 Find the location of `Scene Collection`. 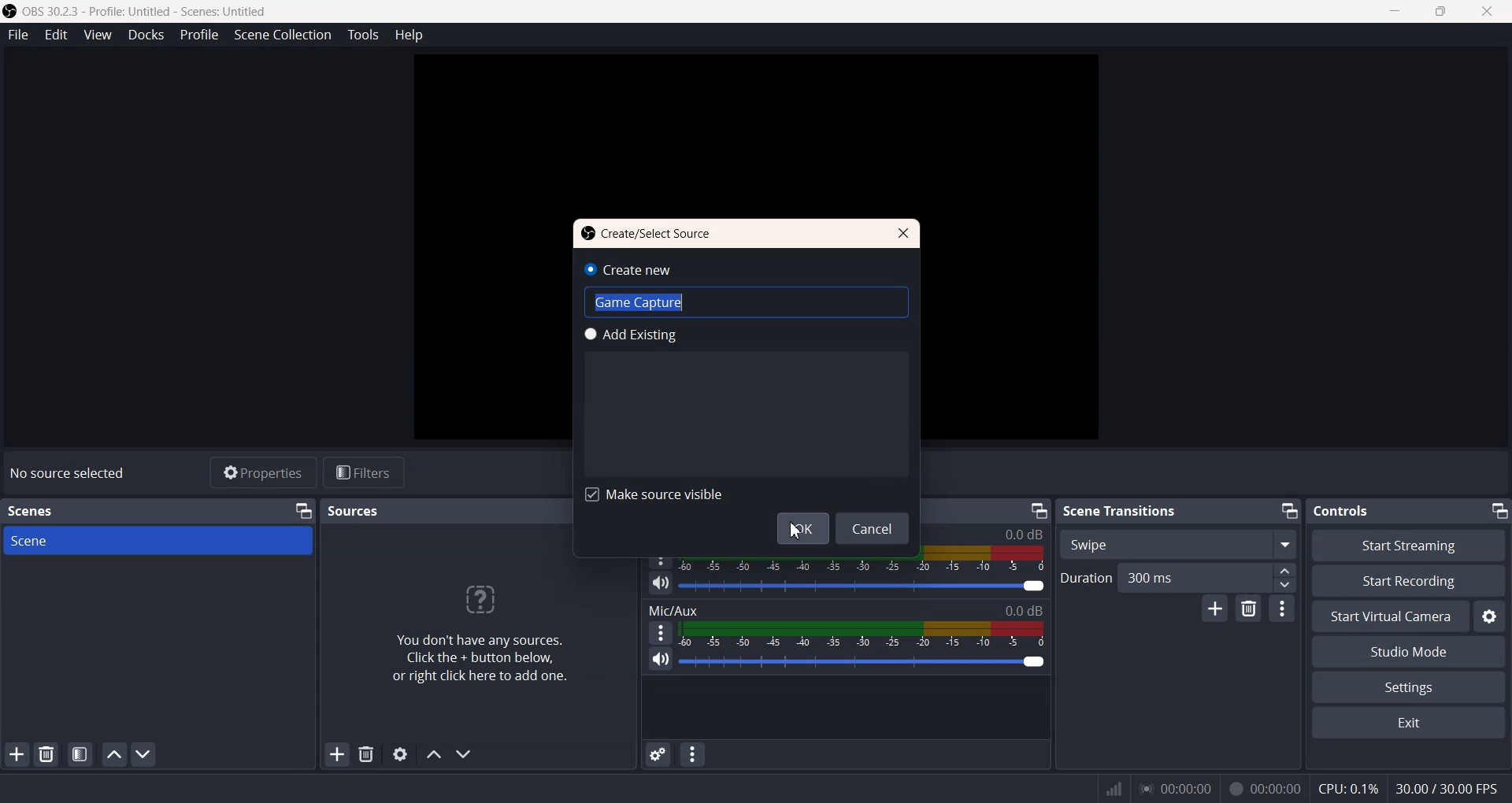

Scene Collection is located at coordinates (283, 35).